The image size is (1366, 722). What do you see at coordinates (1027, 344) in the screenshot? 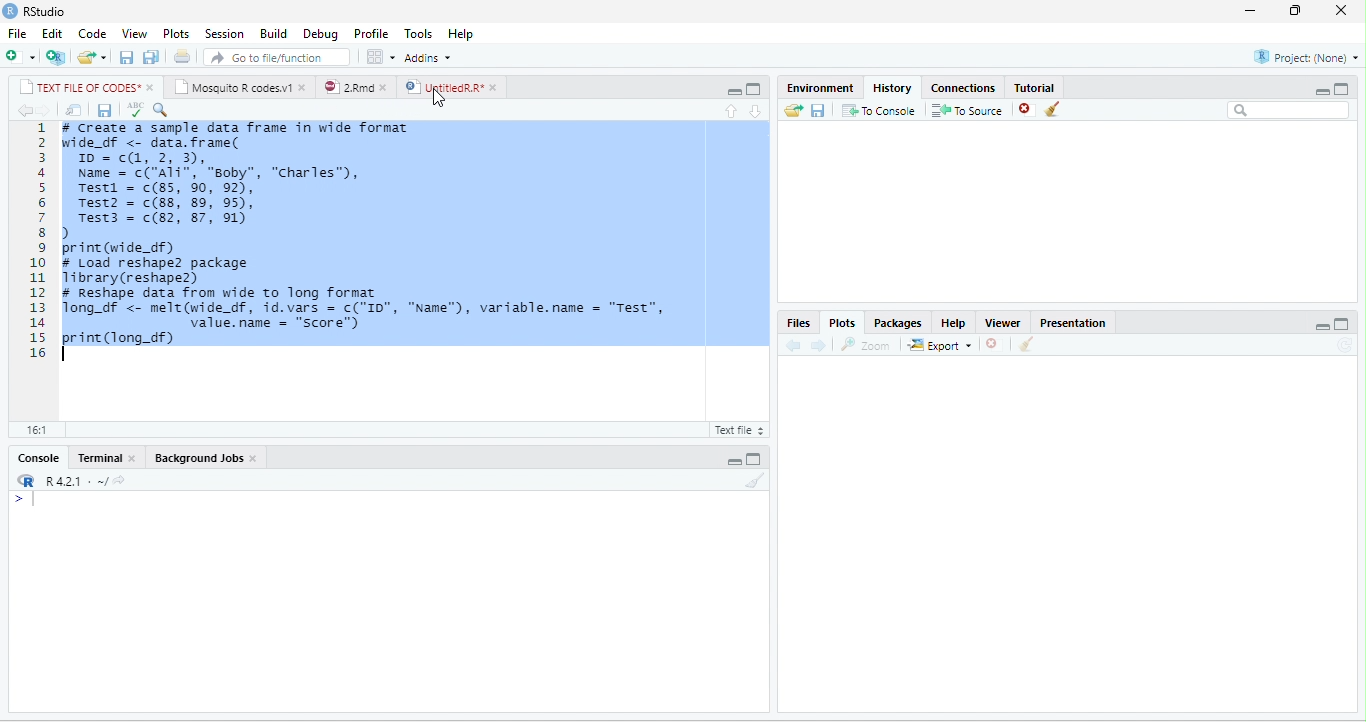
I see `clear` at bounding box center [1027, 344].